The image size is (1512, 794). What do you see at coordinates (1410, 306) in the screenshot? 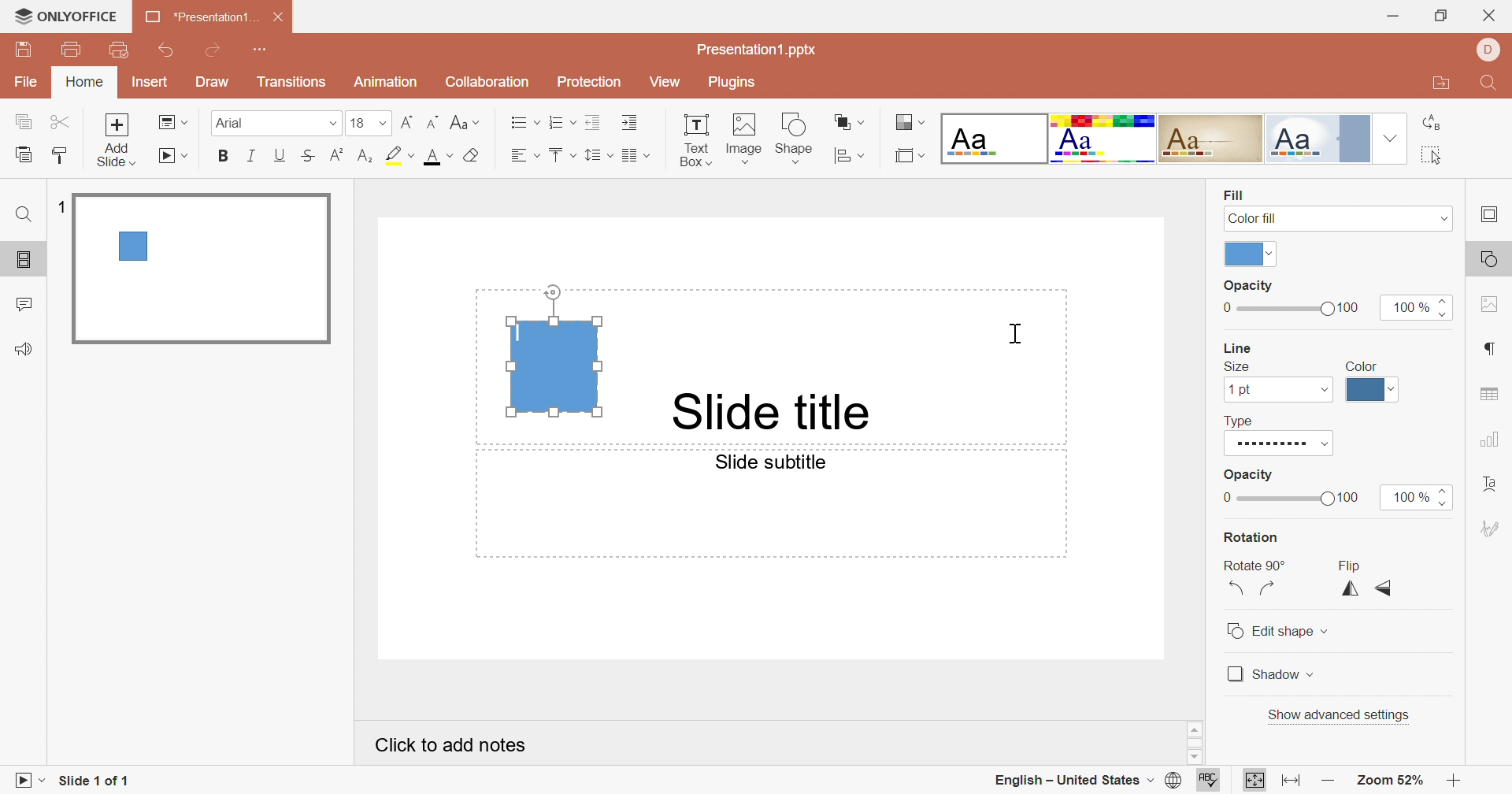
I see `100%` at bounding box center [1410, 306].